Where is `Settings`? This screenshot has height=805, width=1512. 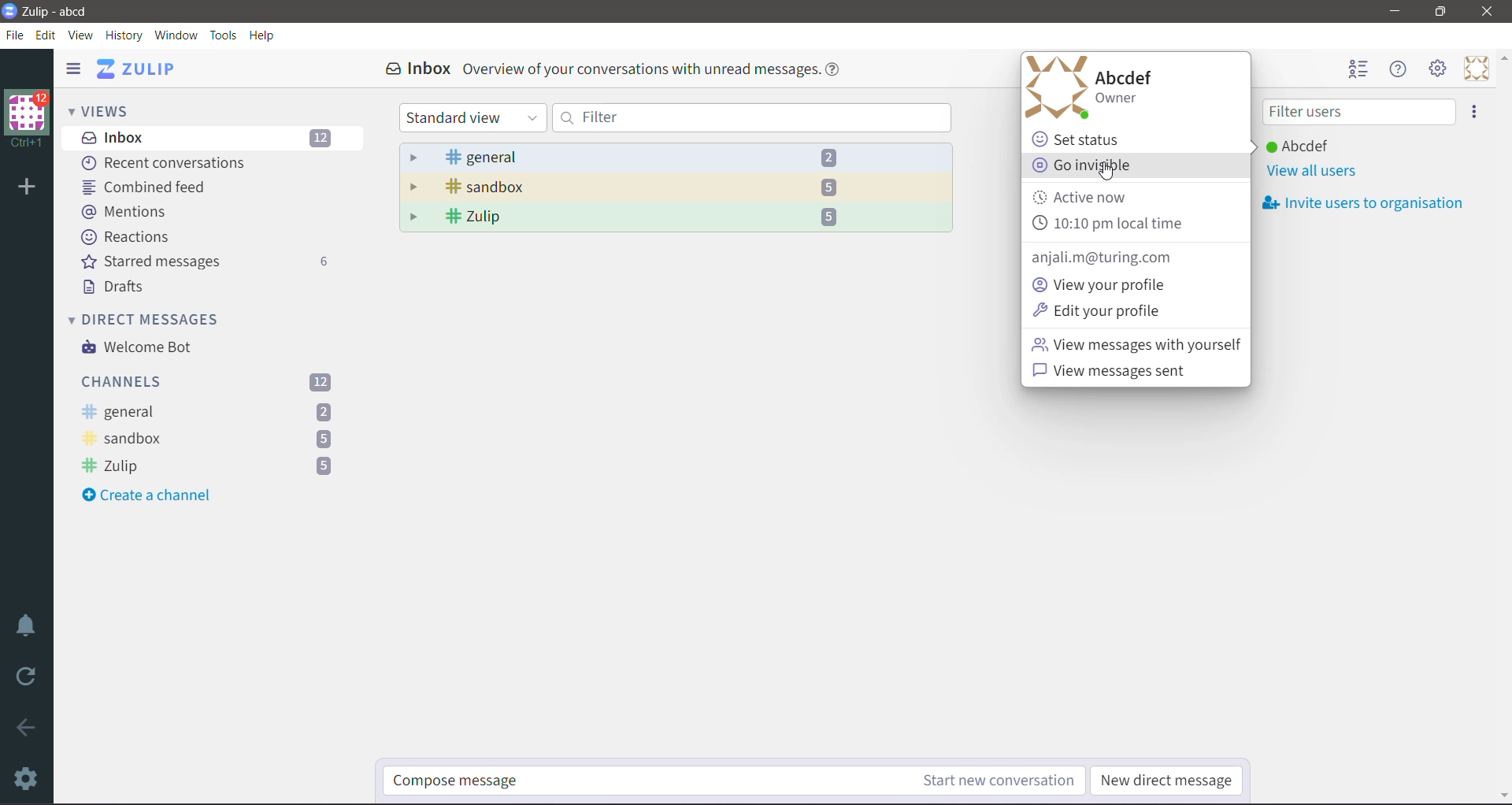 Settings is located at coordinates (28, 780).